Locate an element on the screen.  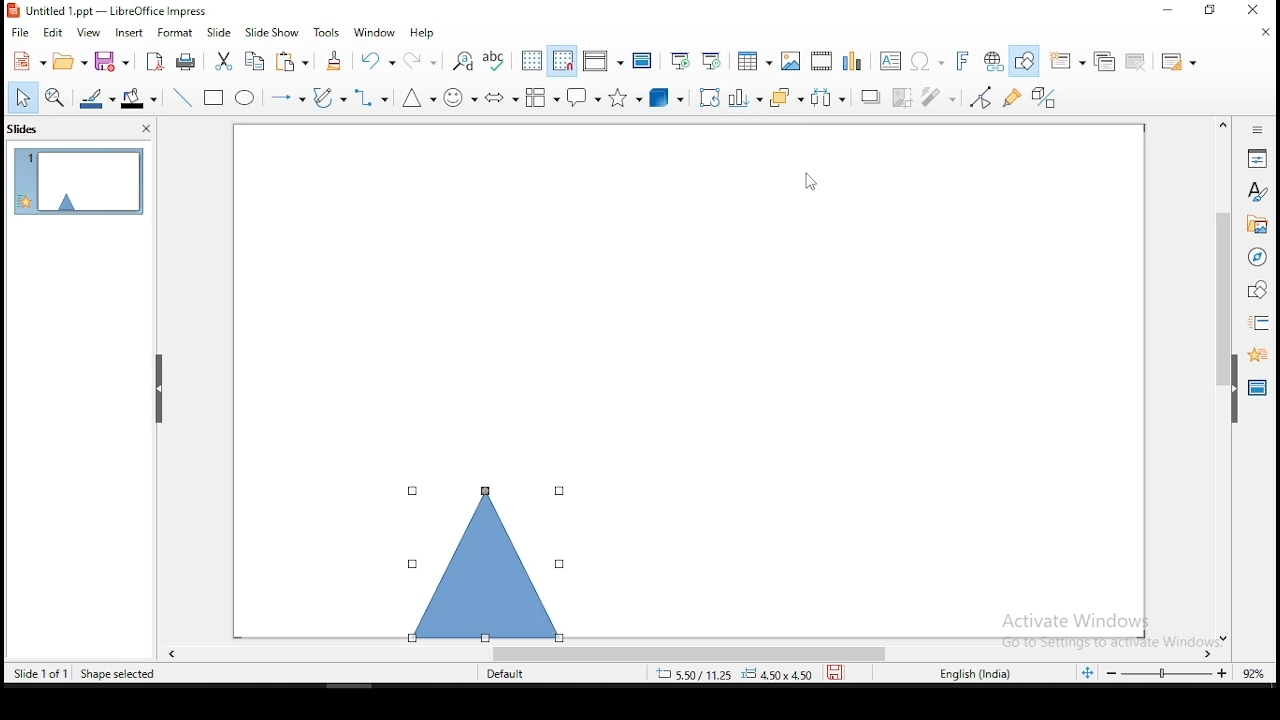
find and replace is located at coordinates (464, 60).